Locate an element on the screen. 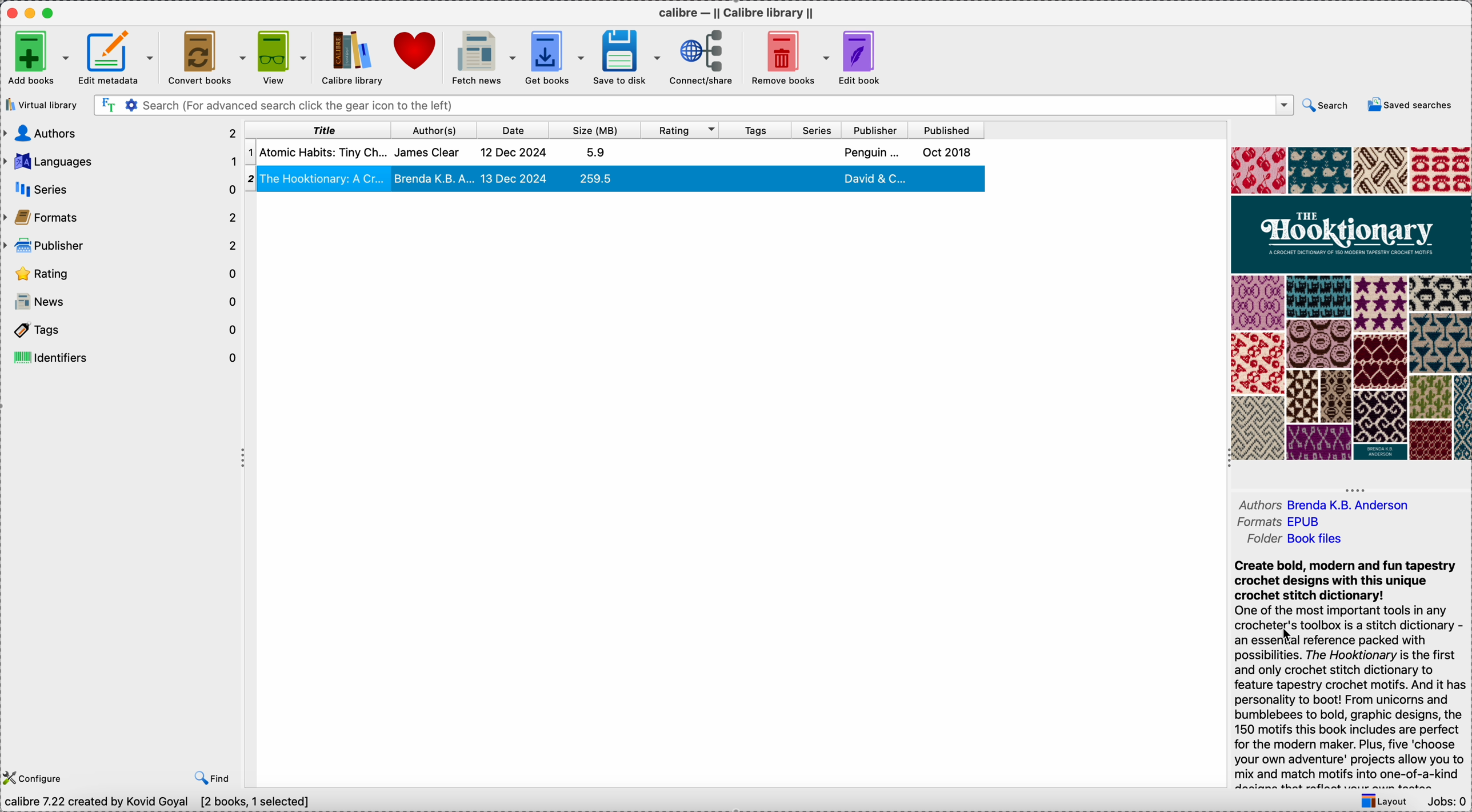  fetch news is located at coordinates (484, 55).